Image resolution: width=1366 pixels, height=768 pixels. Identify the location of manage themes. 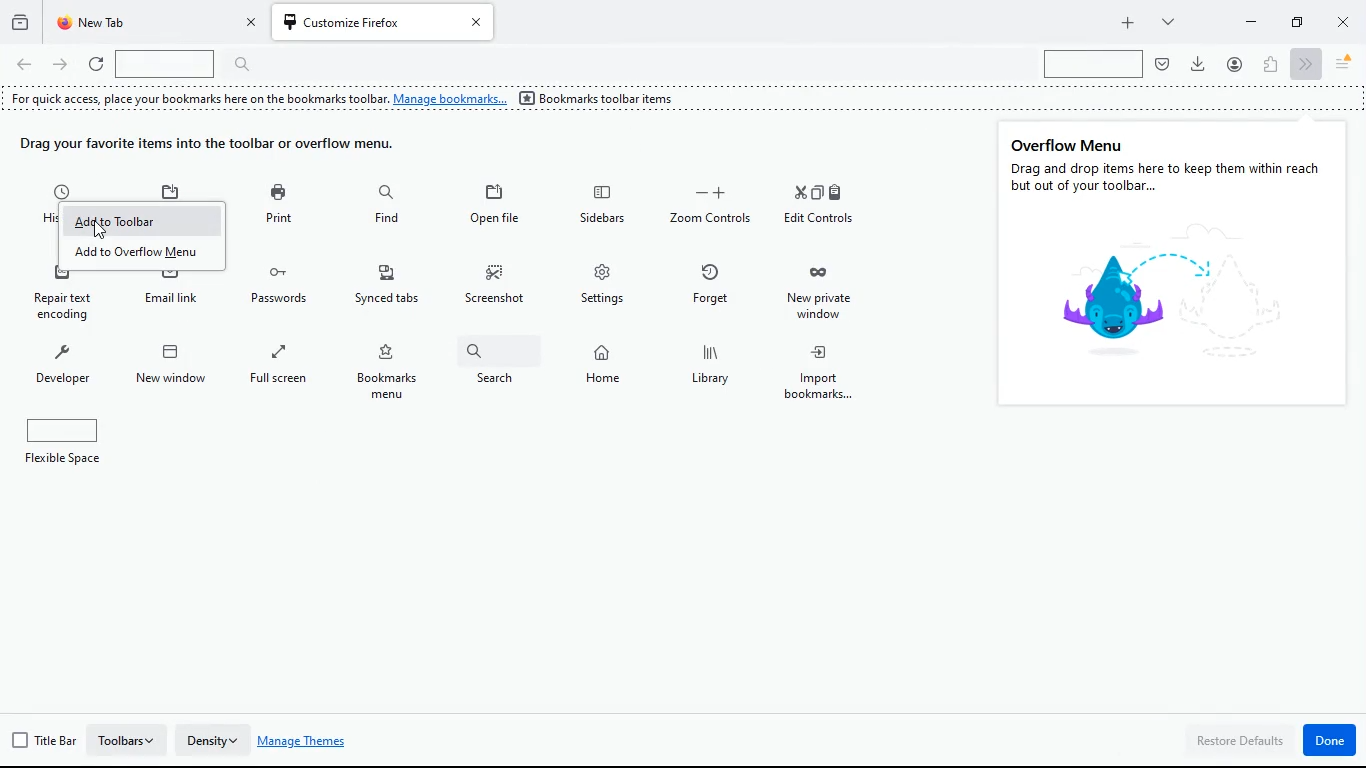
(309, 742).